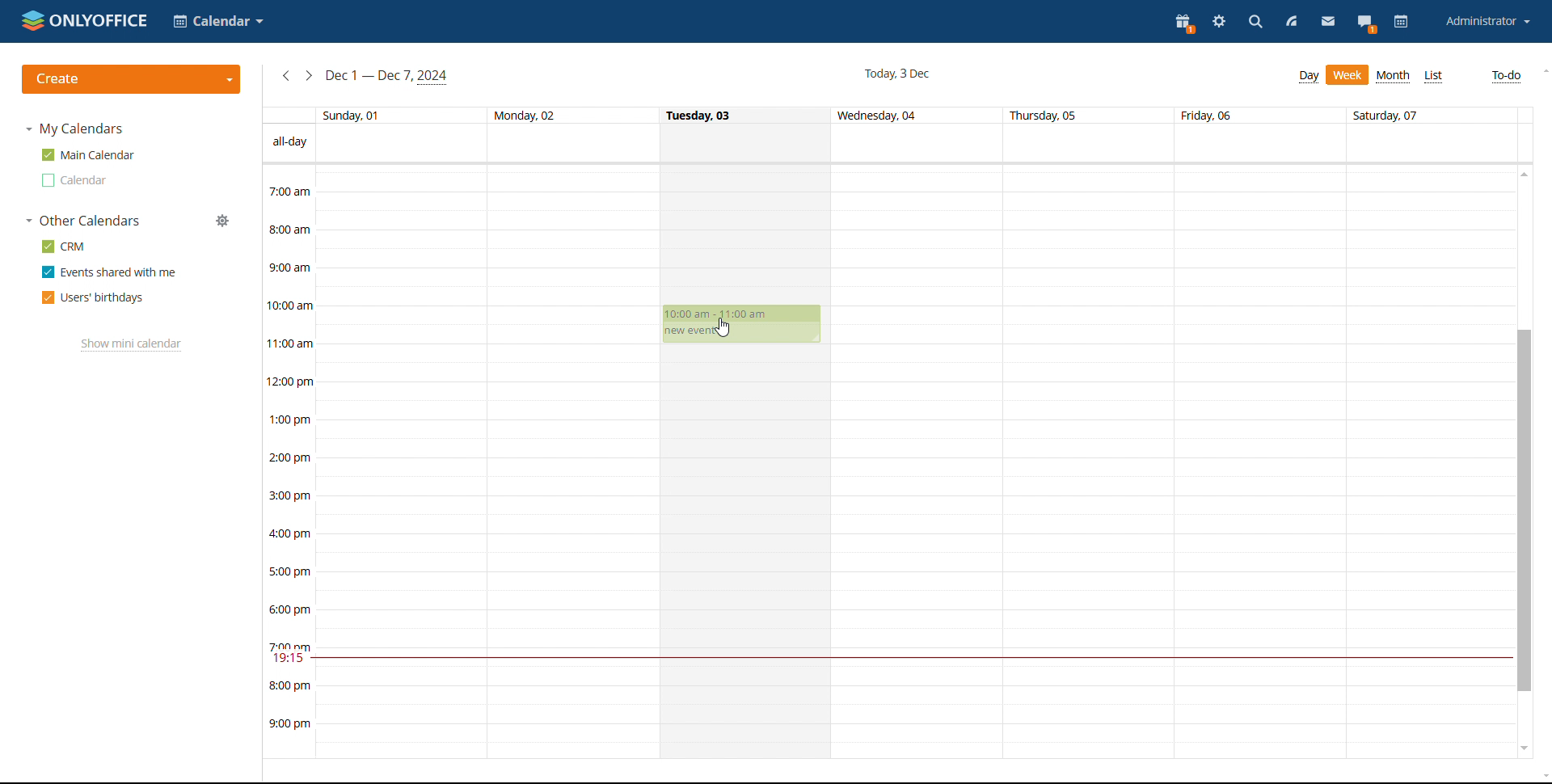  I want to click on 7:00 am, so click(289, 191).